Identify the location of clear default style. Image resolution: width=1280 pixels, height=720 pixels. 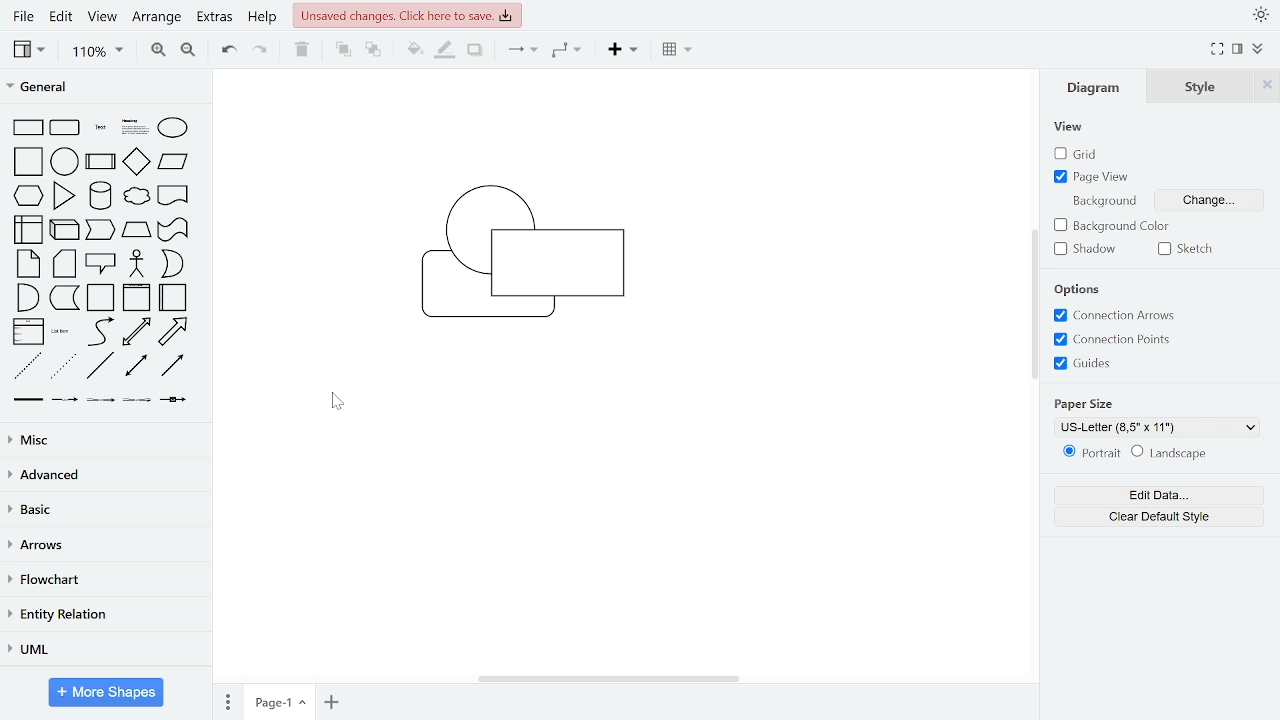
(1154, 517).